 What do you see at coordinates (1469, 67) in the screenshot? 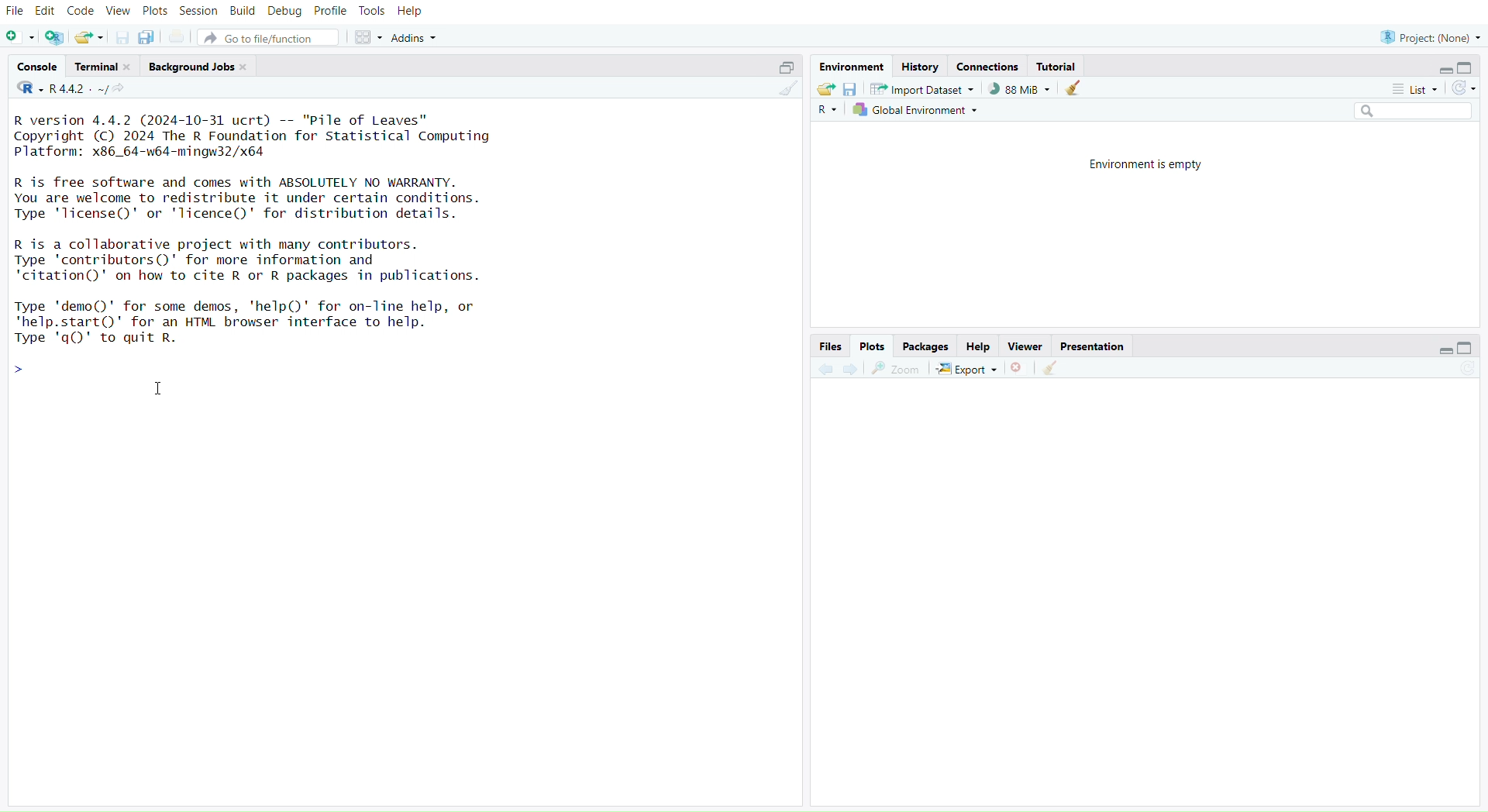
I see `collapse` at bounding box center [1469, 67].